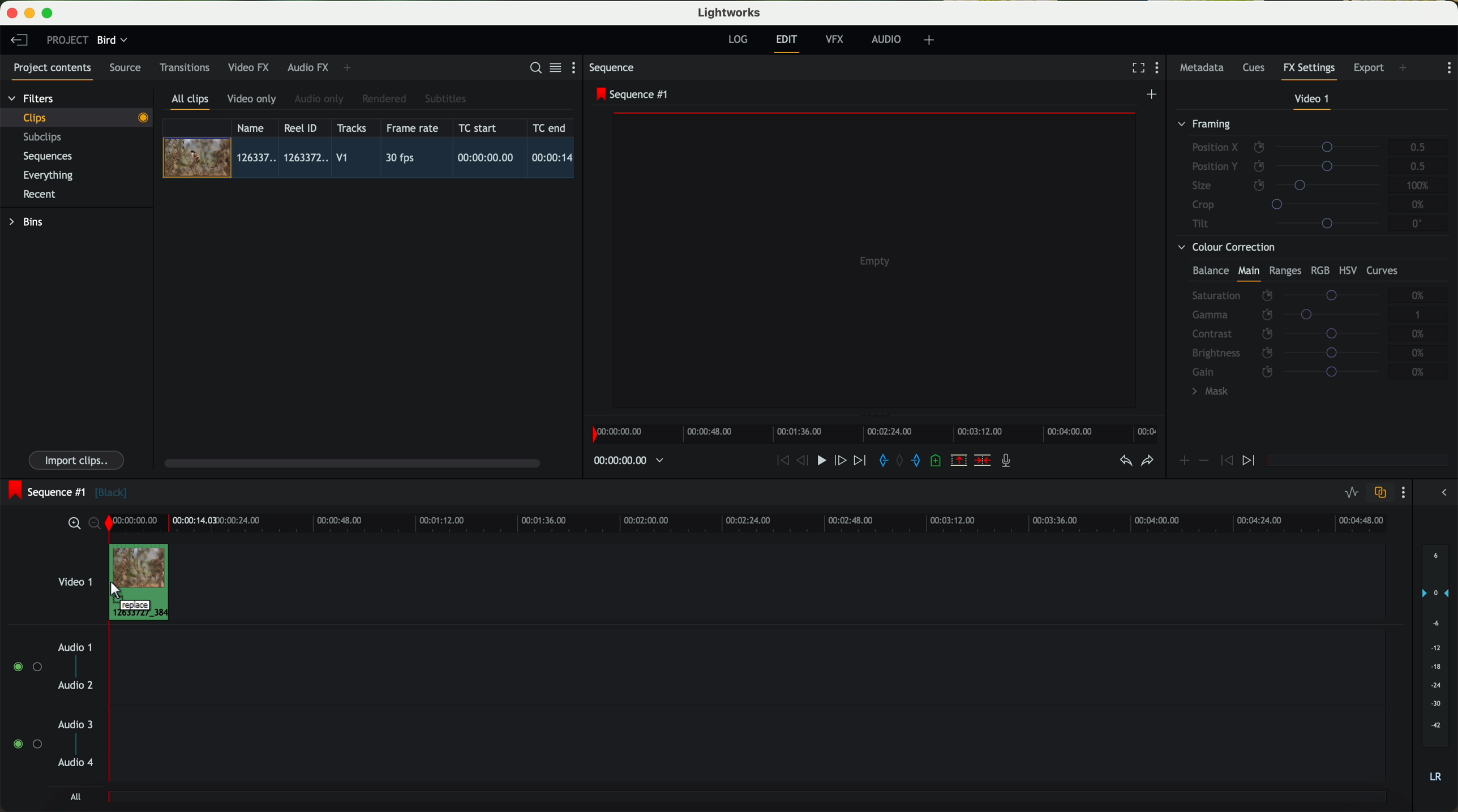 The height and width of the screenshot is (812, 1458). What do you see at coordinates (444, 99) in the screenshot?
I see `subtitles` at bounding box center [444, 99].